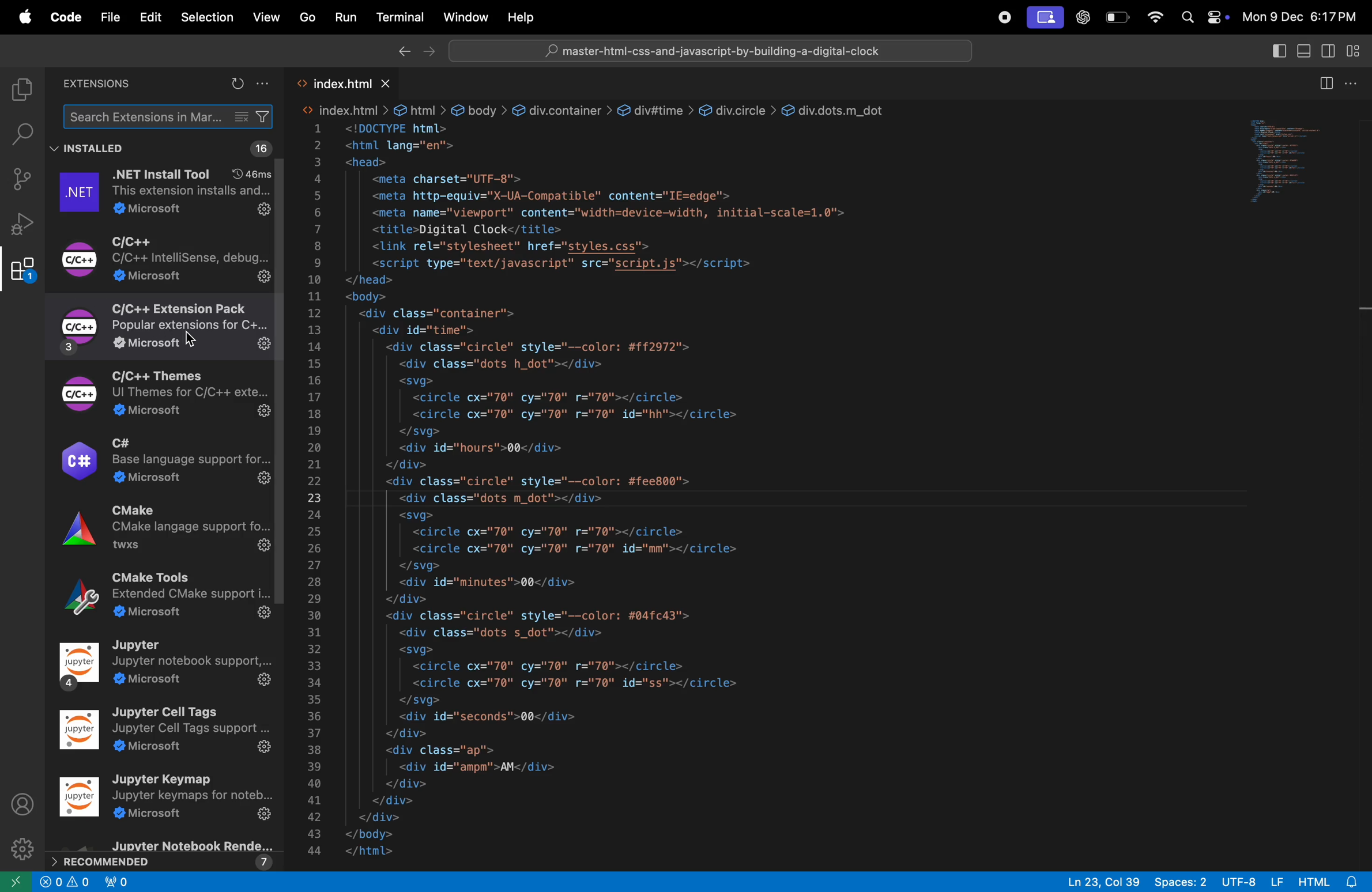 The height and width of the screenshot is (892, 1372). What do you see at coordinates (463, 16) in the screenshot?
I see `Window` at bounding box center [463, 16].